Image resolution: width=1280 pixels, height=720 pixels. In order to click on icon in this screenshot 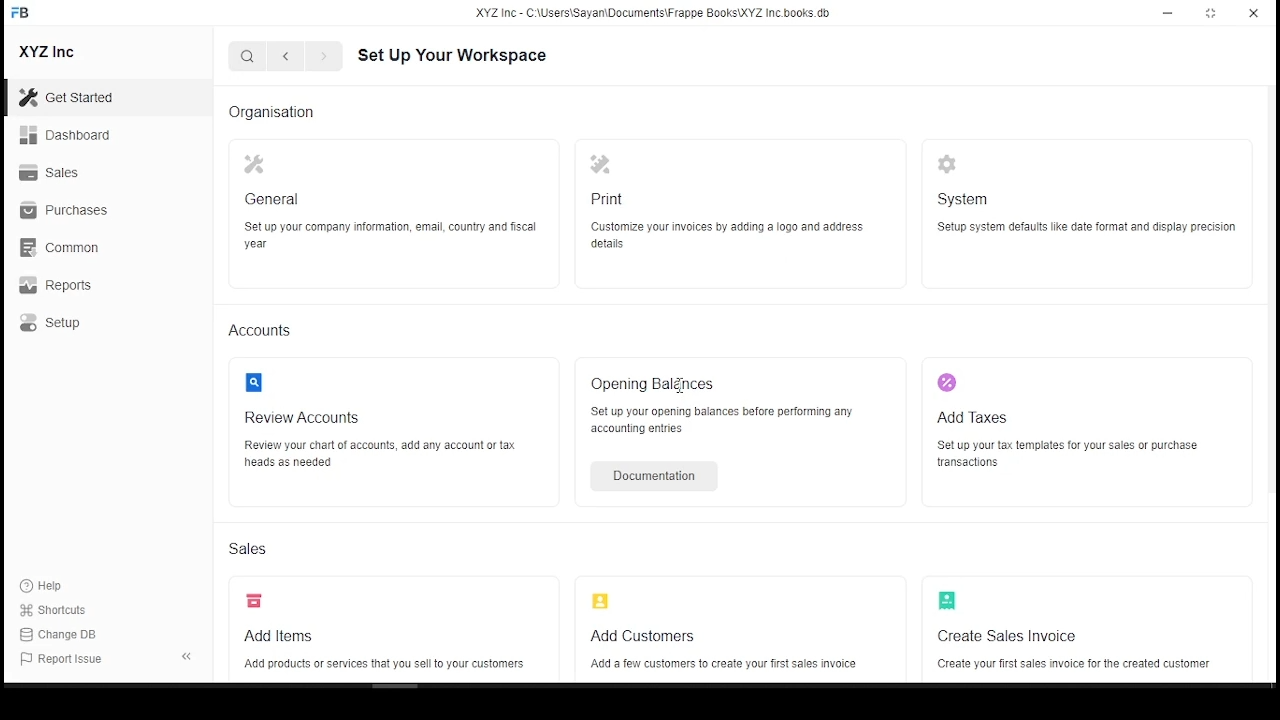, I will do `click(27, 17)`.